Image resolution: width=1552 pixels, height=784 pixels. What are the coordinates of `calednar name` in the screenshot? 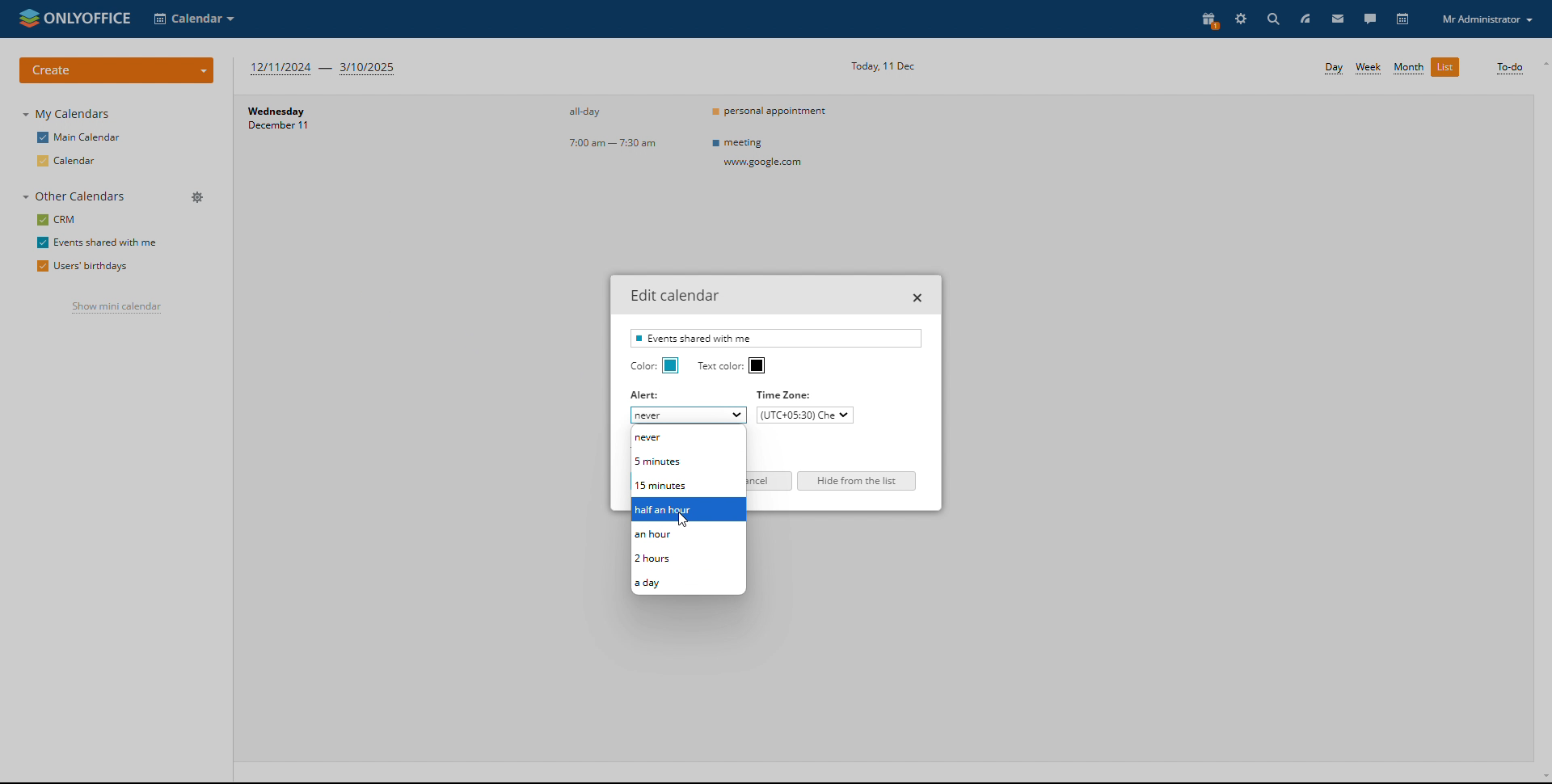 It's located at (776, 338).